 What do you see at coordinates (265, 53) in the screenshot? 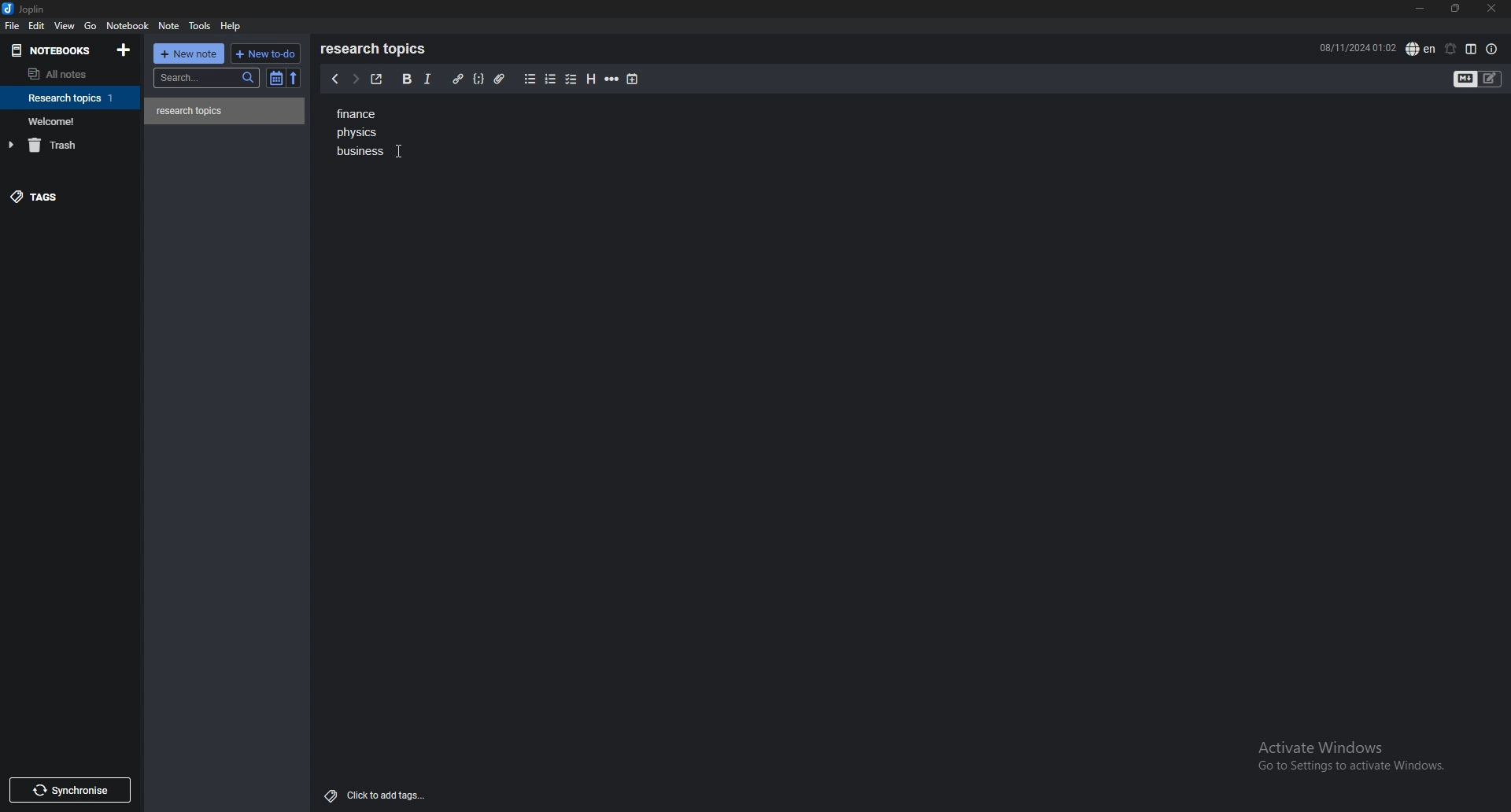
I see `new todo` at bounding box center [265, 53].